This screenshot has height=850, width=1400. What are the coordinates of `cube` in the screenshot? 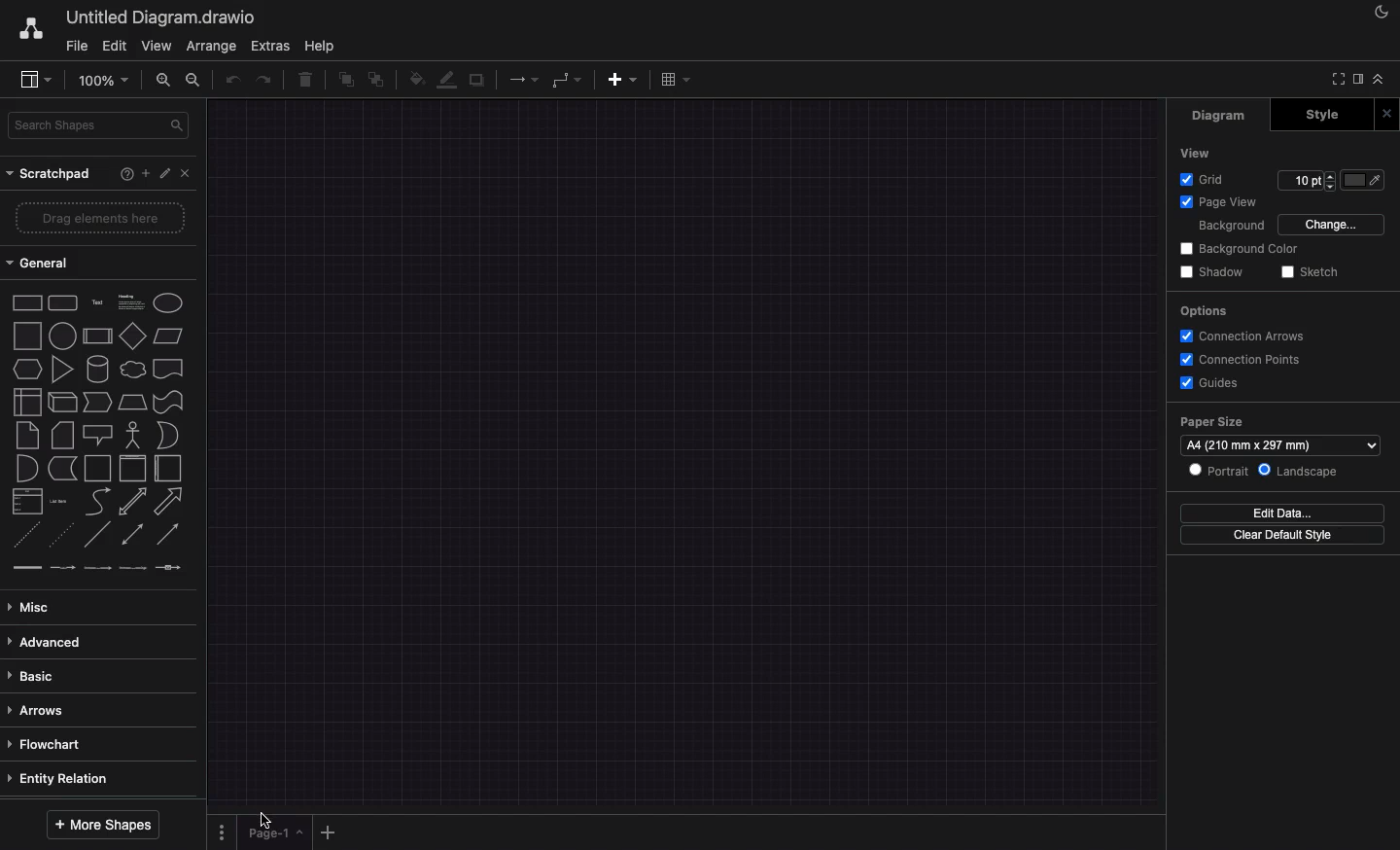 It's located at (62, 404).